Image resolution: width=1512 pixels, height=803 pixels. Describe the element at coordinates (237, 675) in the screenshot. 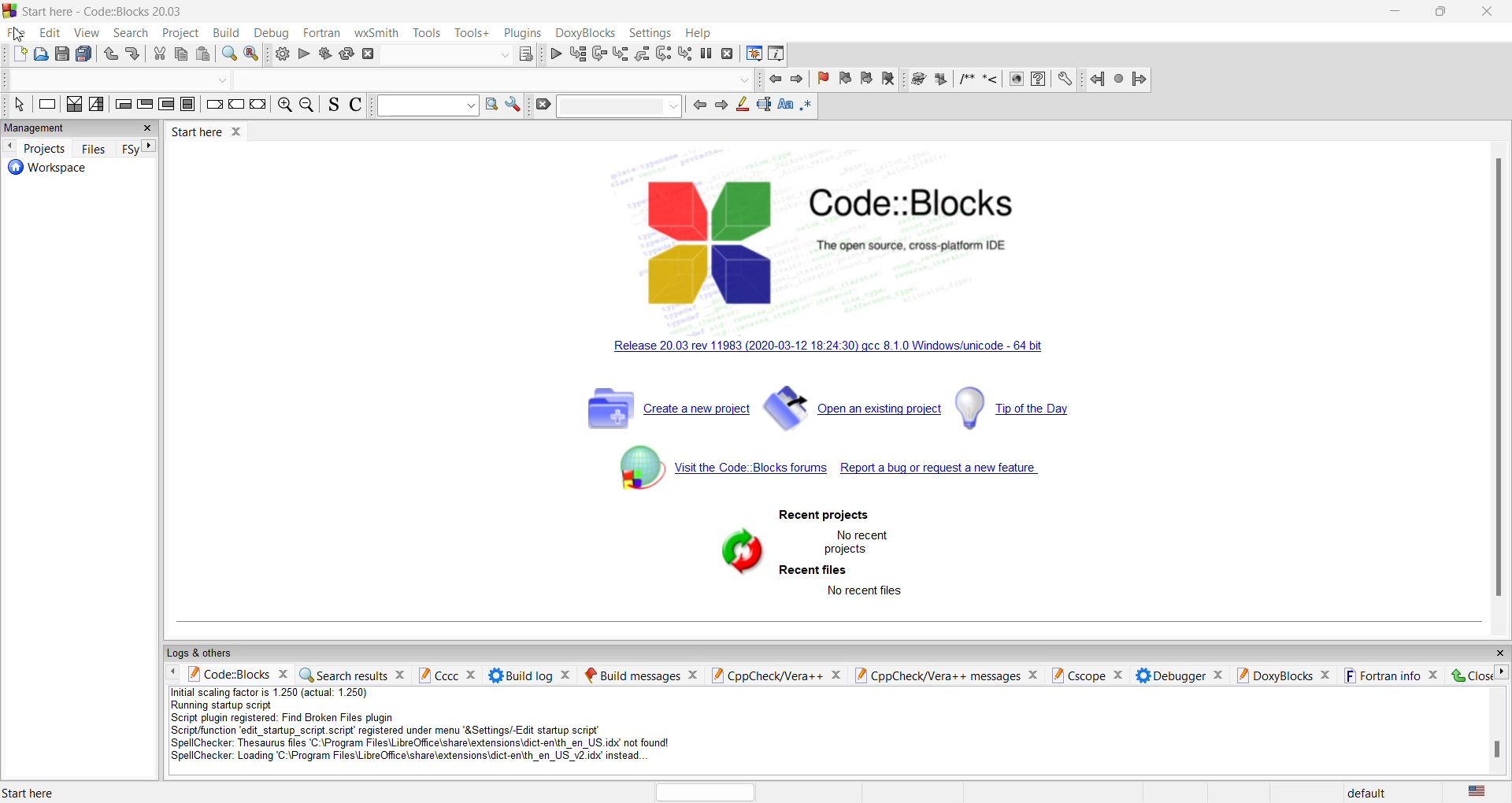

I see `codeblock pane` at that location.